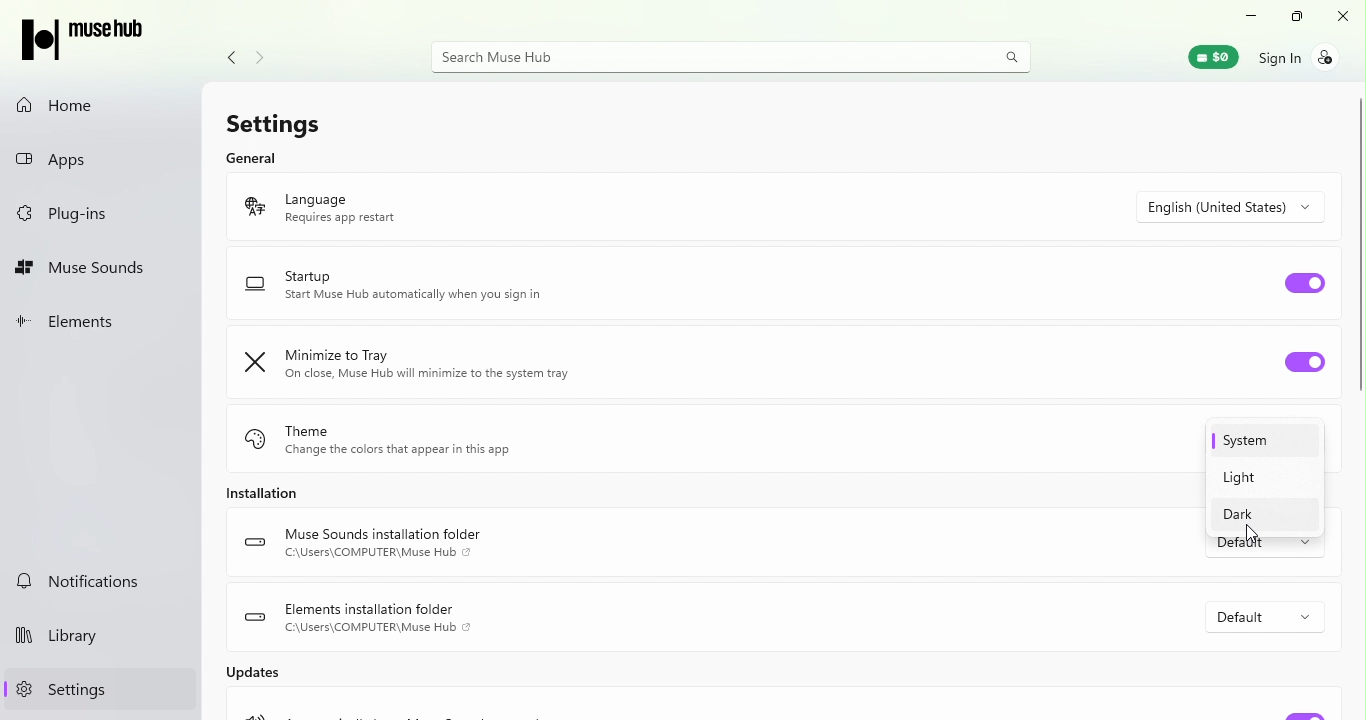  Describe the element at coordinates (1305, 283) in the screenshot. I see `Toggle startup` at that location.